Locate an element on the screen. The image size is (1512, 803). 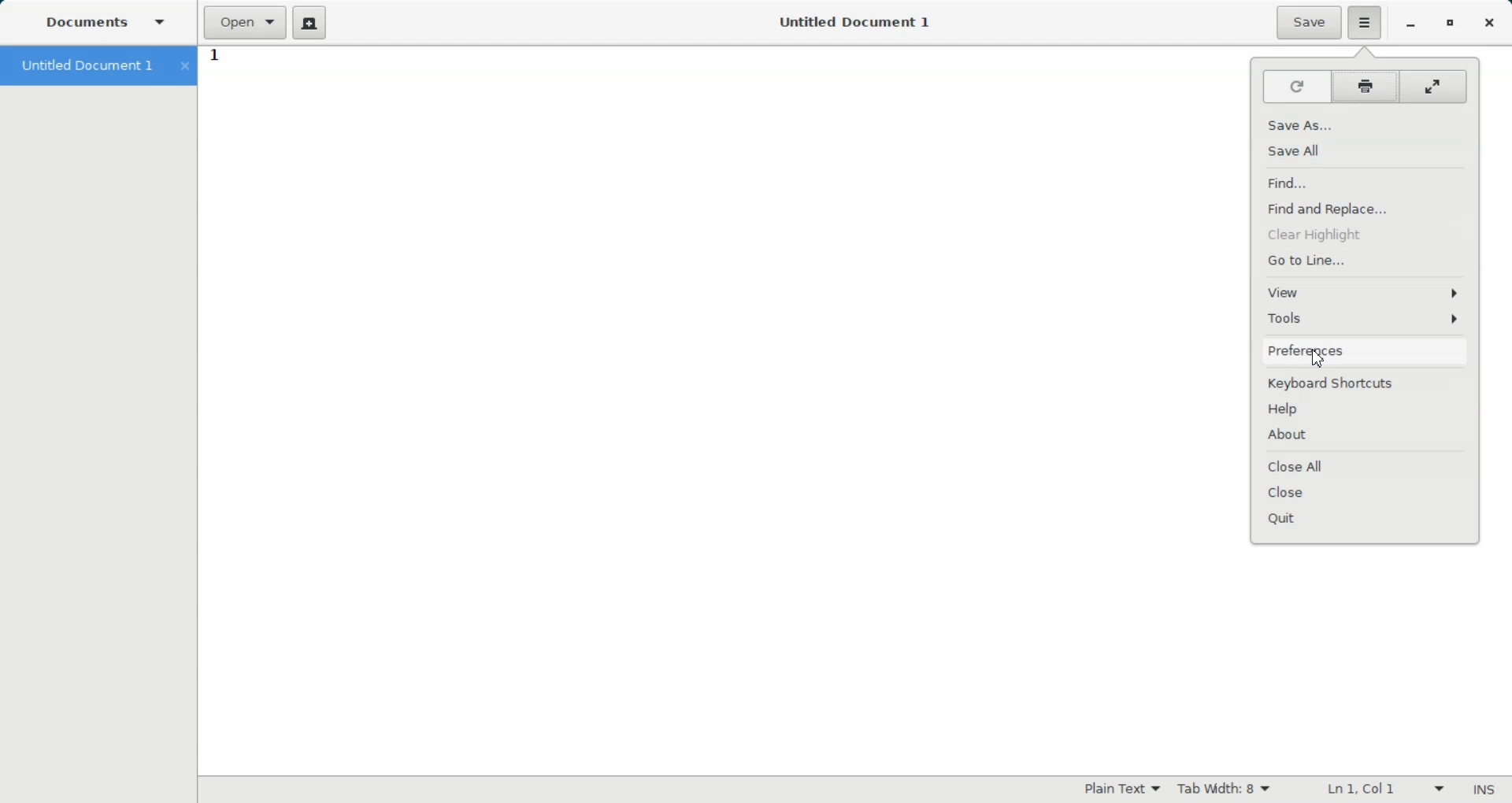
Maximize is located at coordinates (1451, 24).